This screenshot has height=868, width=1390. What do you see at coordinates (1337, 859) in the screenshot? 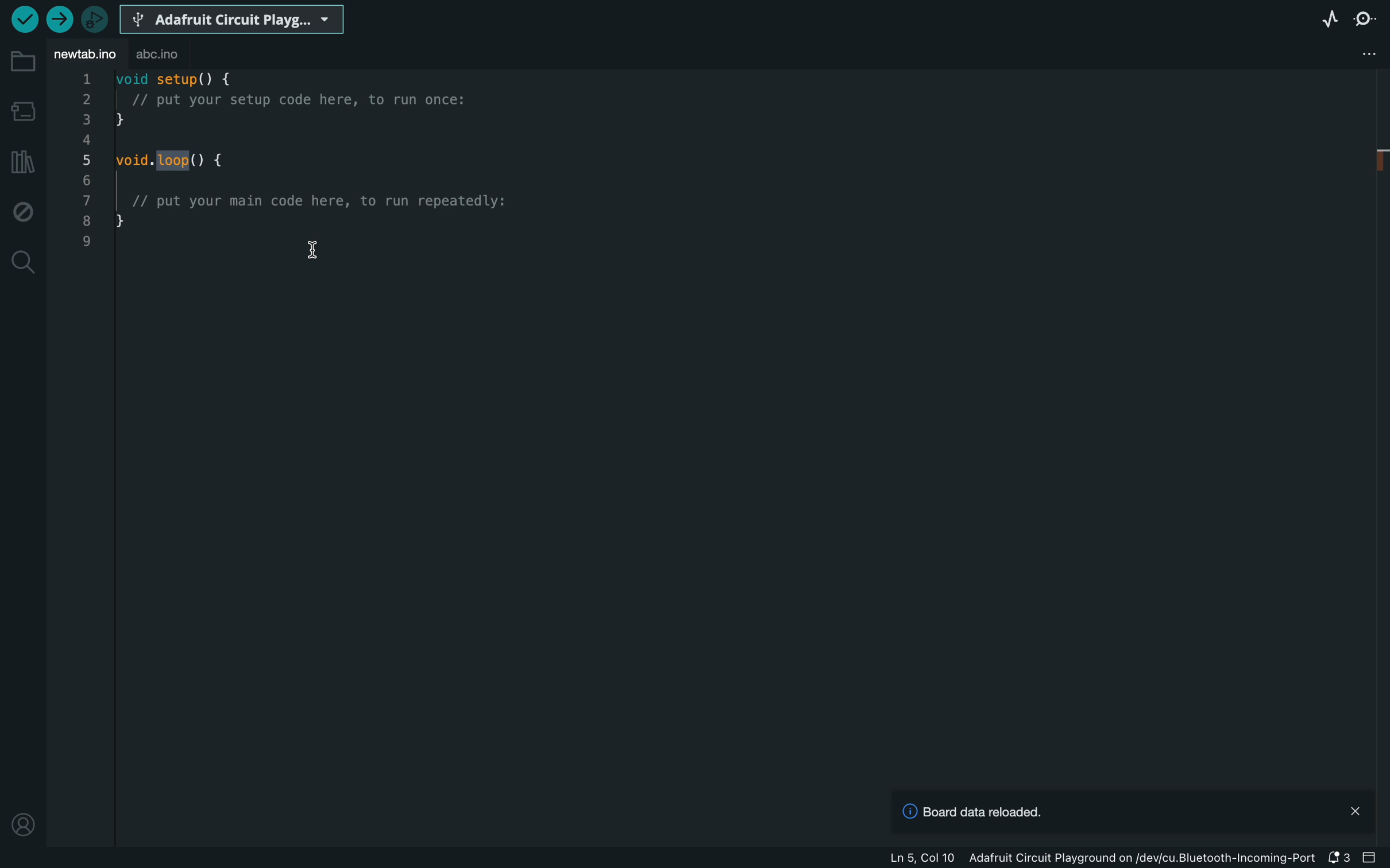
I see `notification` at bounding box center [1337, 859].